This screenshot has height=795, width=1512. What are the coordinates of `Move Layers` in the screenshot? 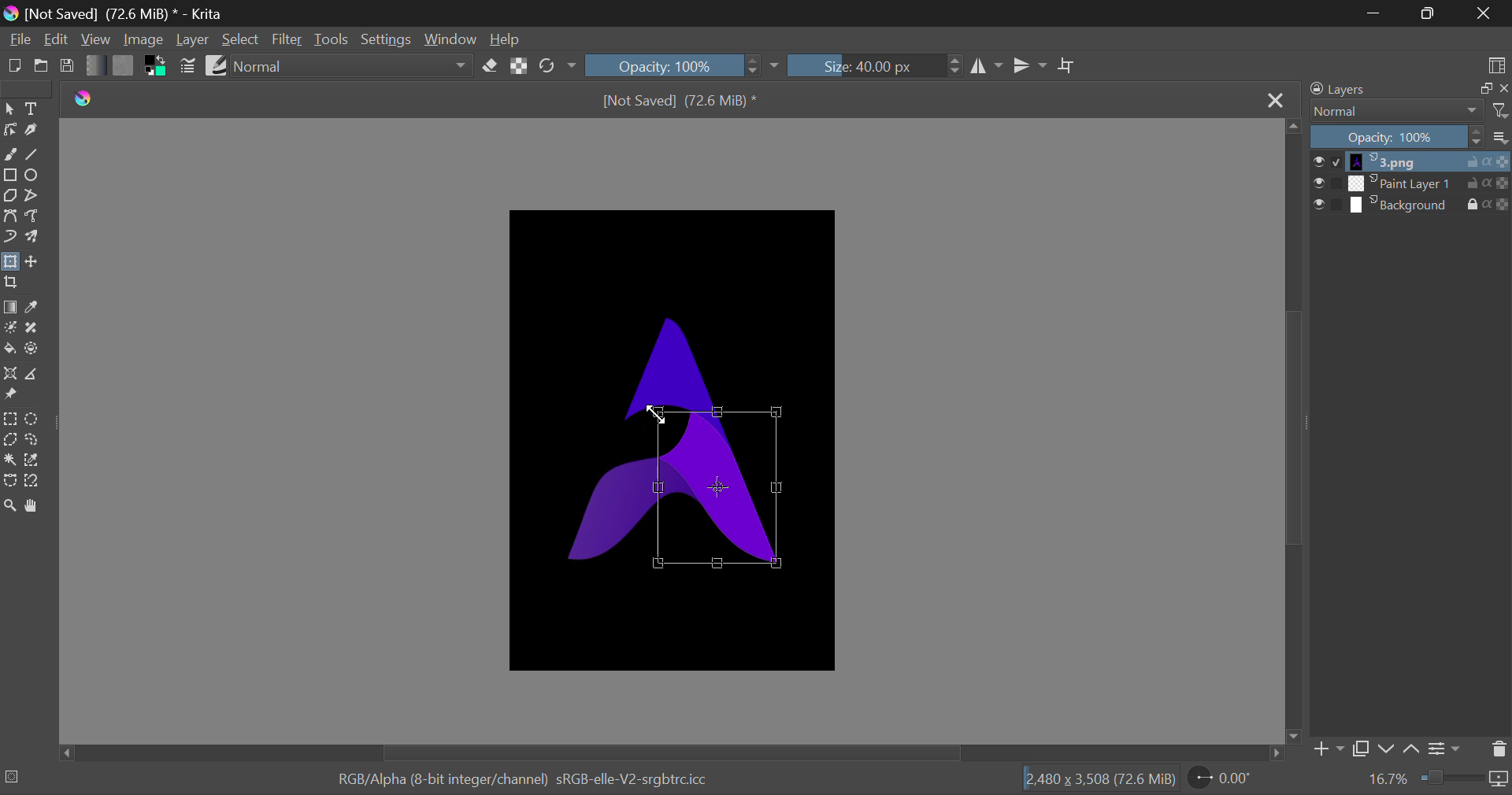 It's located at (34, 263).